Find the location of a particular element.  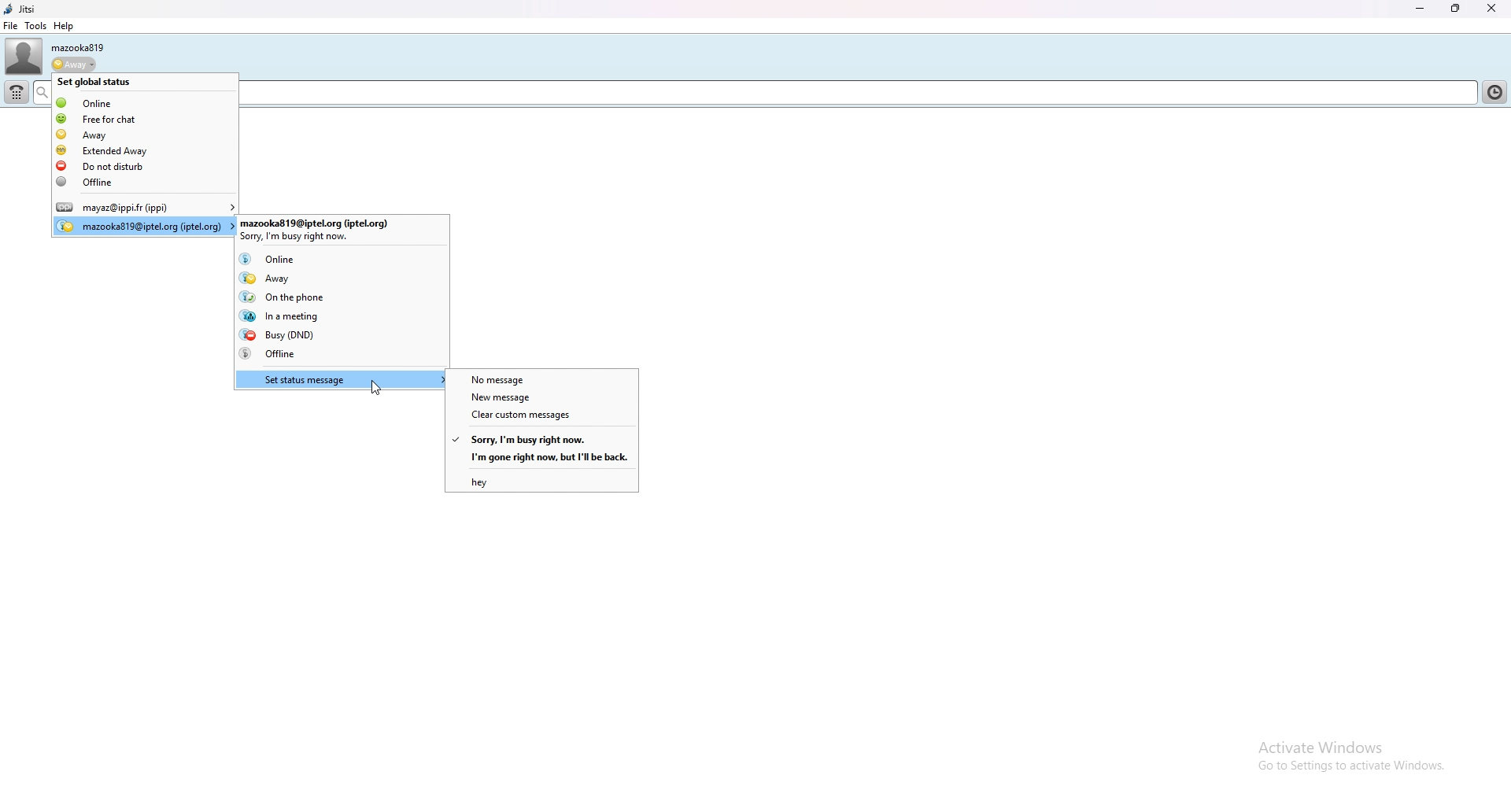

extended away is located at coordinates (144, 150).